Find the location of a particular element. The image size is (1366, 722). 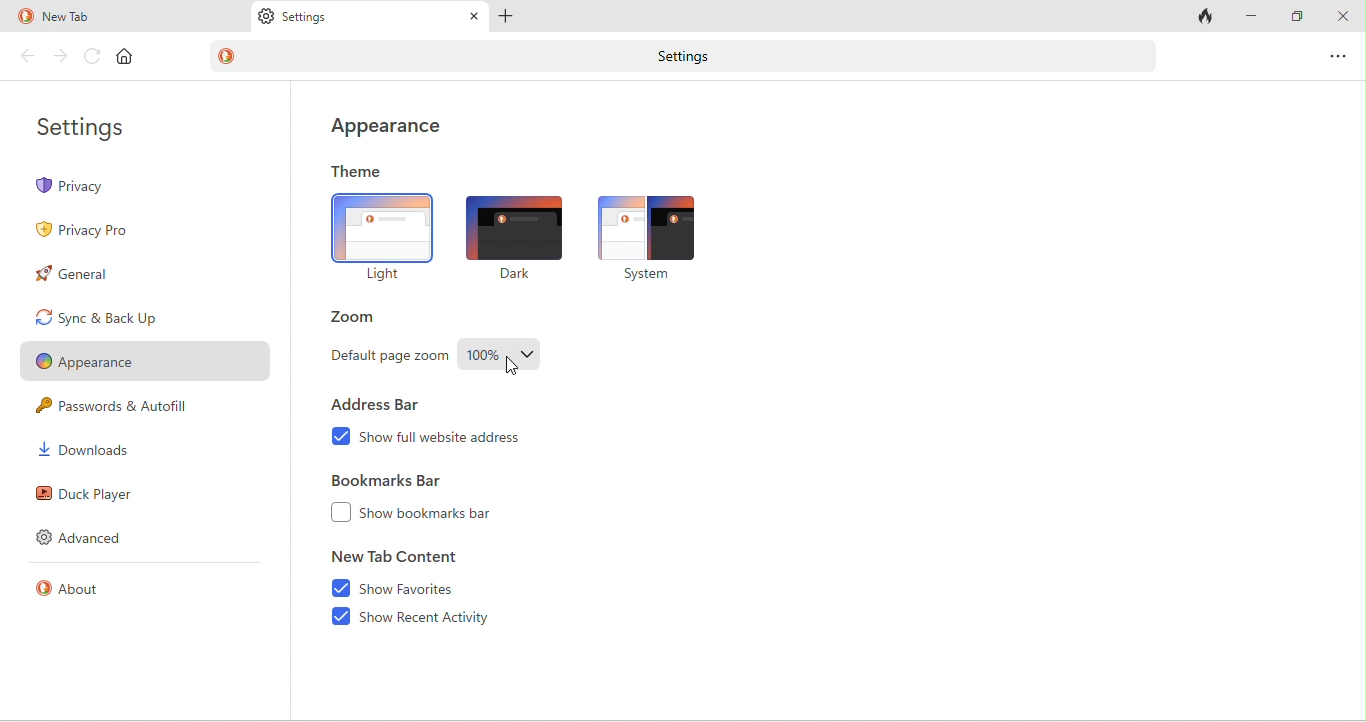

default page zoom is located at coordinates (387, 358).